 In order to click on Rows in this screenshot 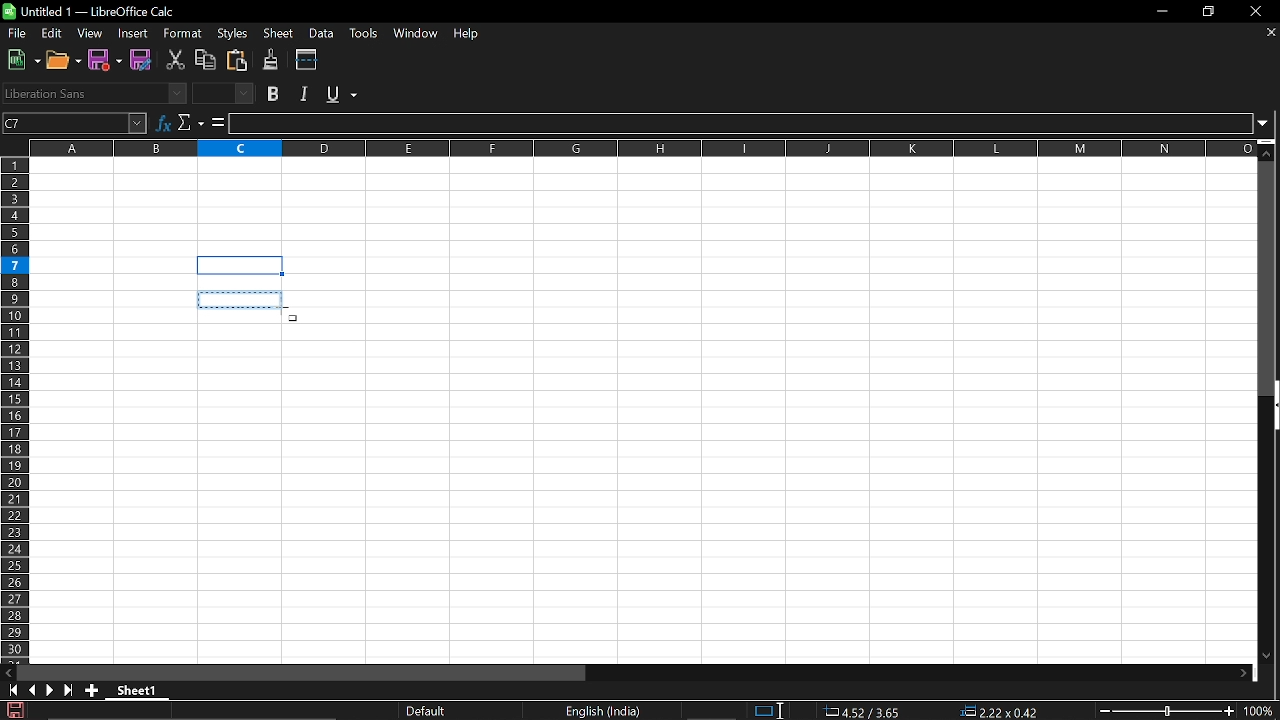, I will do `click(16, 409)`.